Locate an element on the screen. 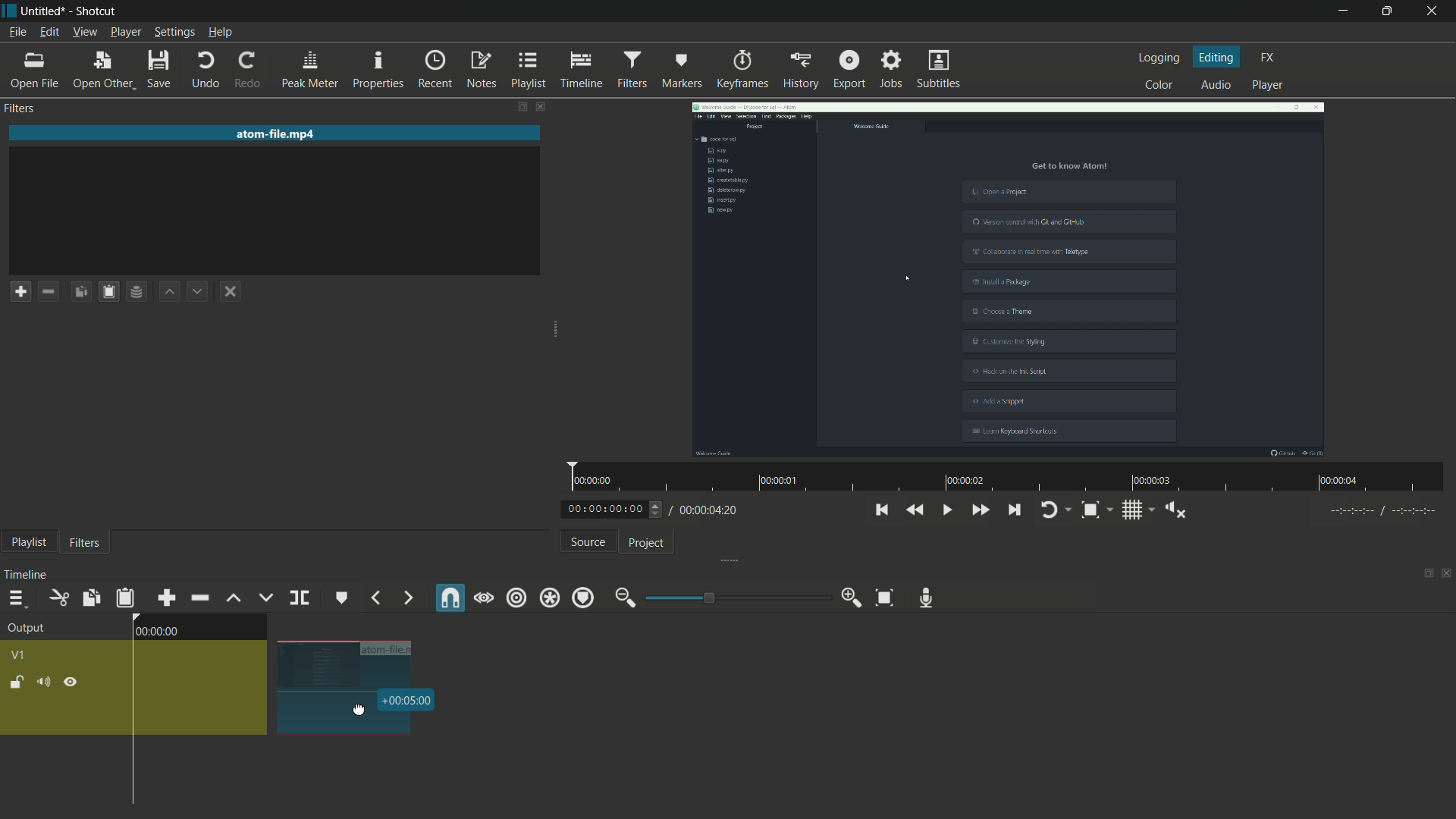 This screenshot has height=819, width=1456. save filter set is located at coordinates (136, 293).